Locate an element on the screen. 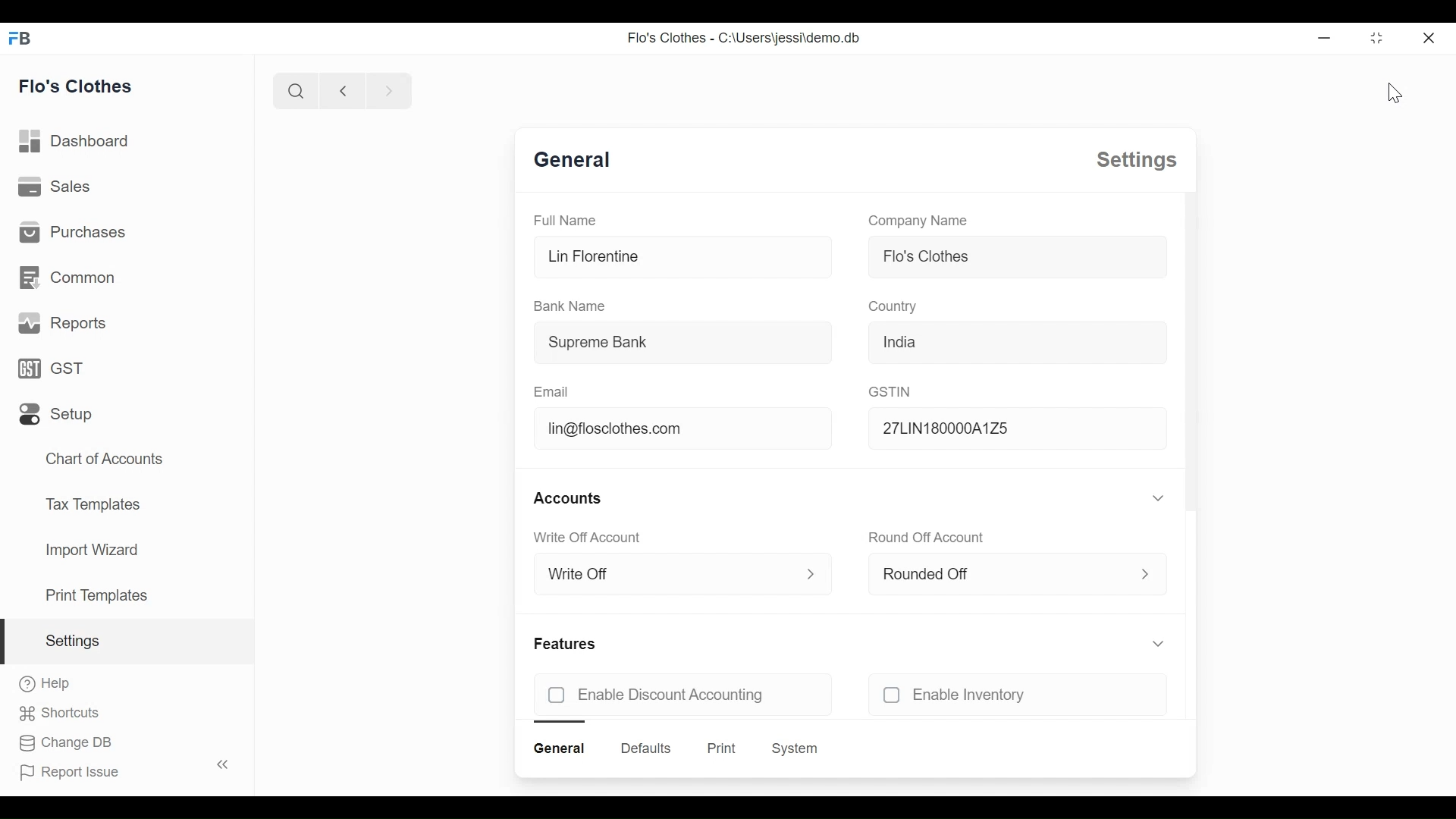 This screenshot has width=1456, height=819. 27LIN180000A1Z5 is located at coordinates (983, 430).